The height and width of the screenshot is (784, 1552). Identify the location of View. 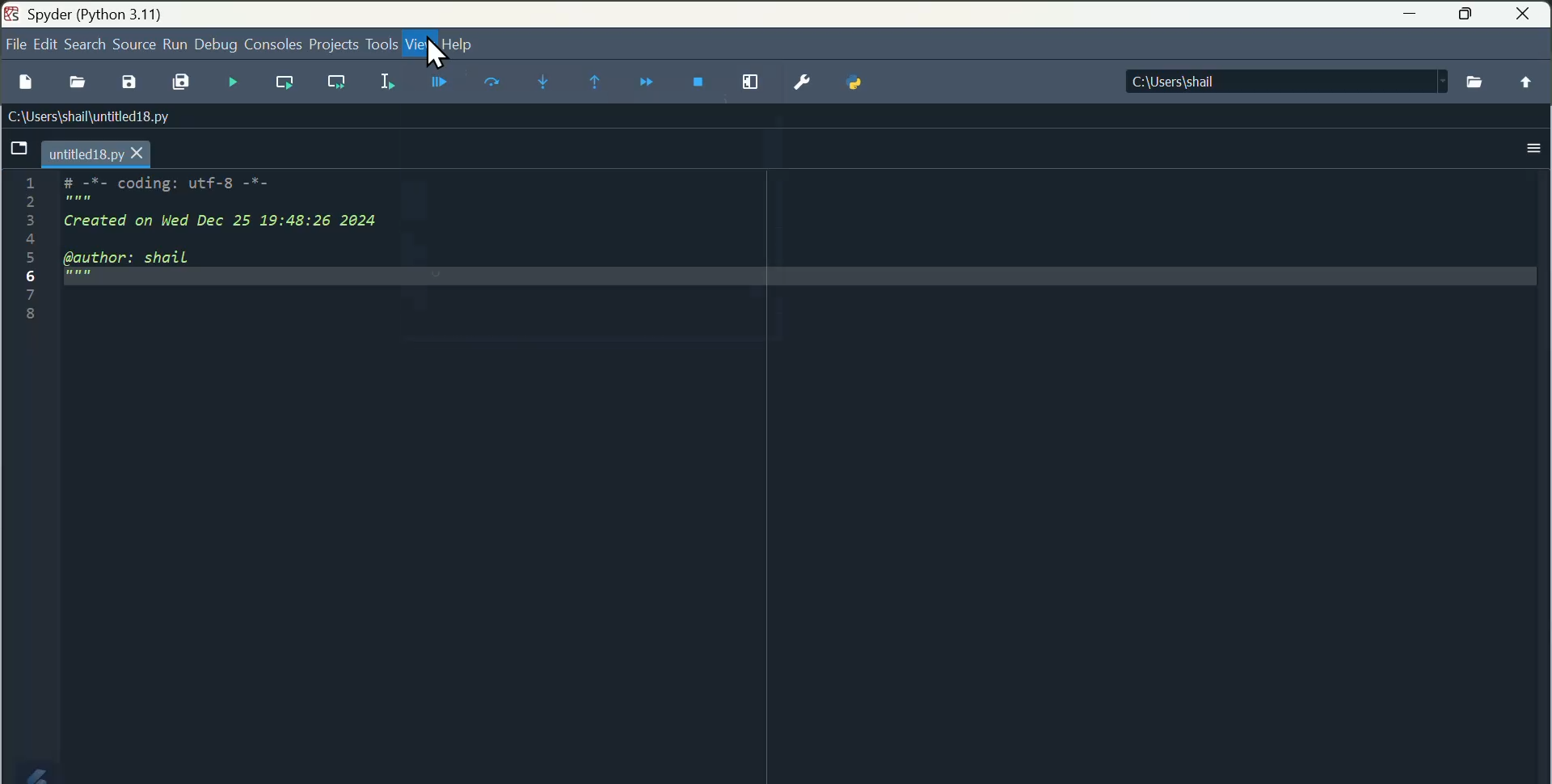
(422, 46).